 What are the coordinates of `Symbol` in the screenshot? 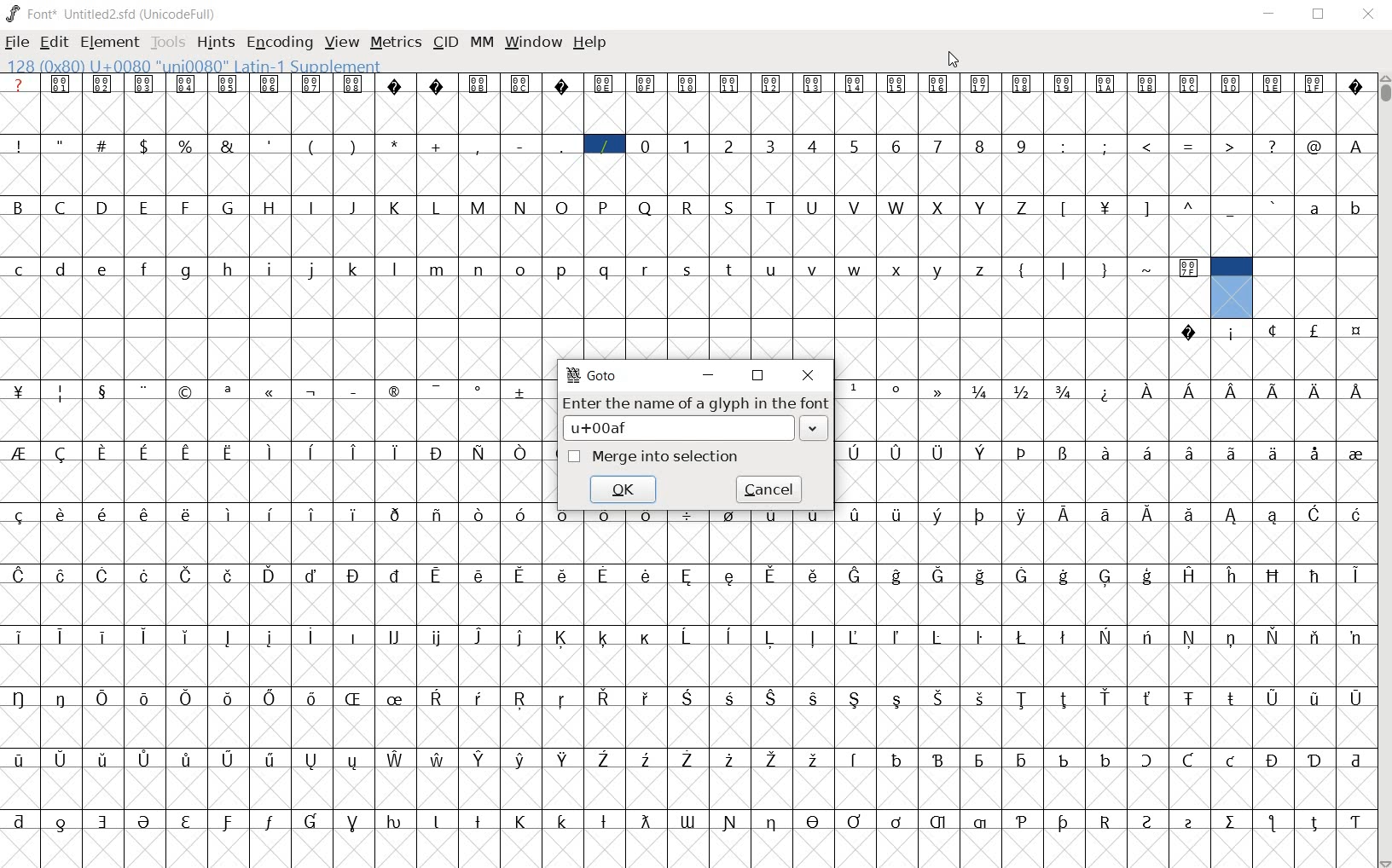 It's located at (479, 638).